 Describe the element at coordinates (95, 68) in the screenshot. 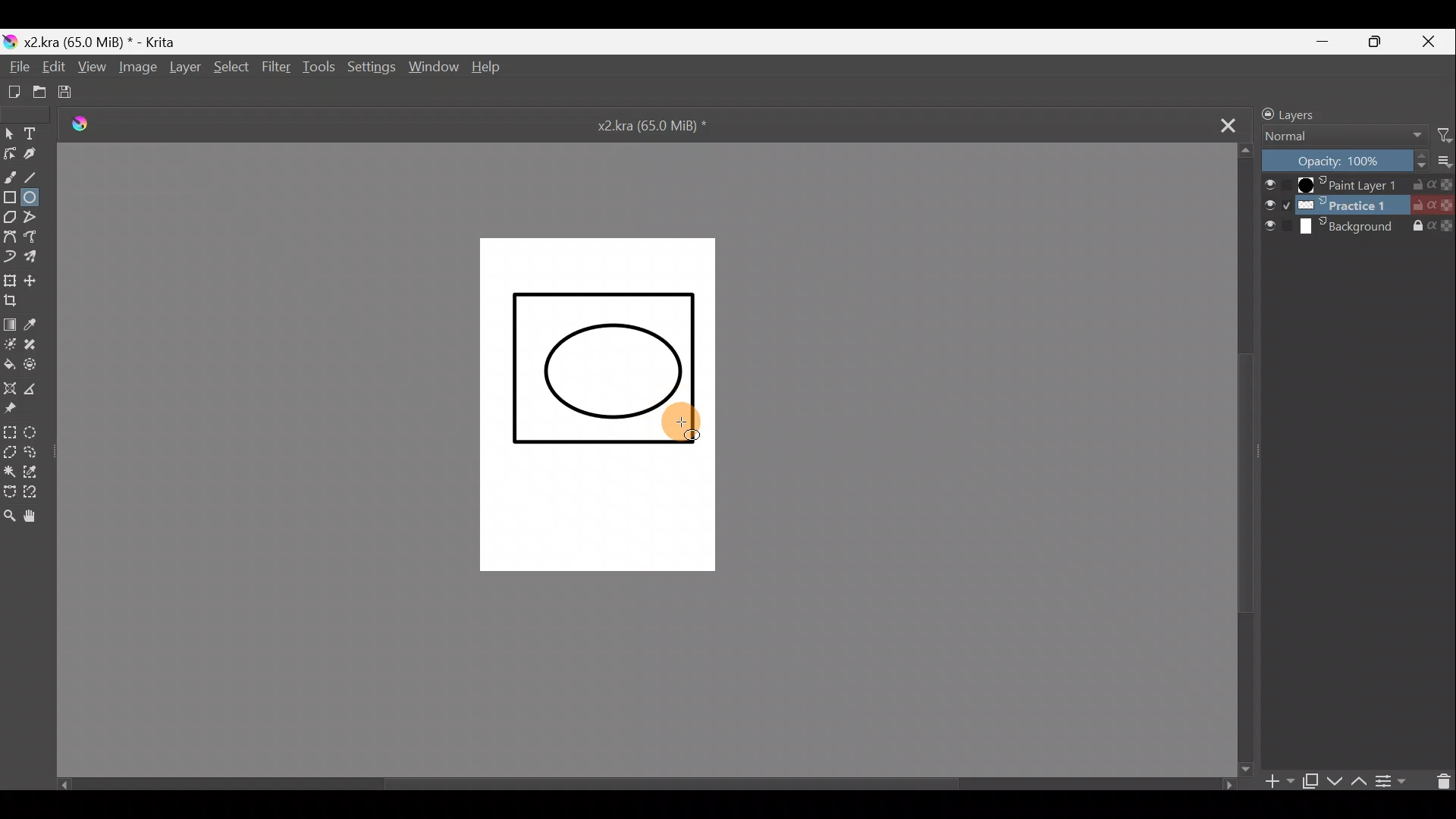

I see `View` at that location.